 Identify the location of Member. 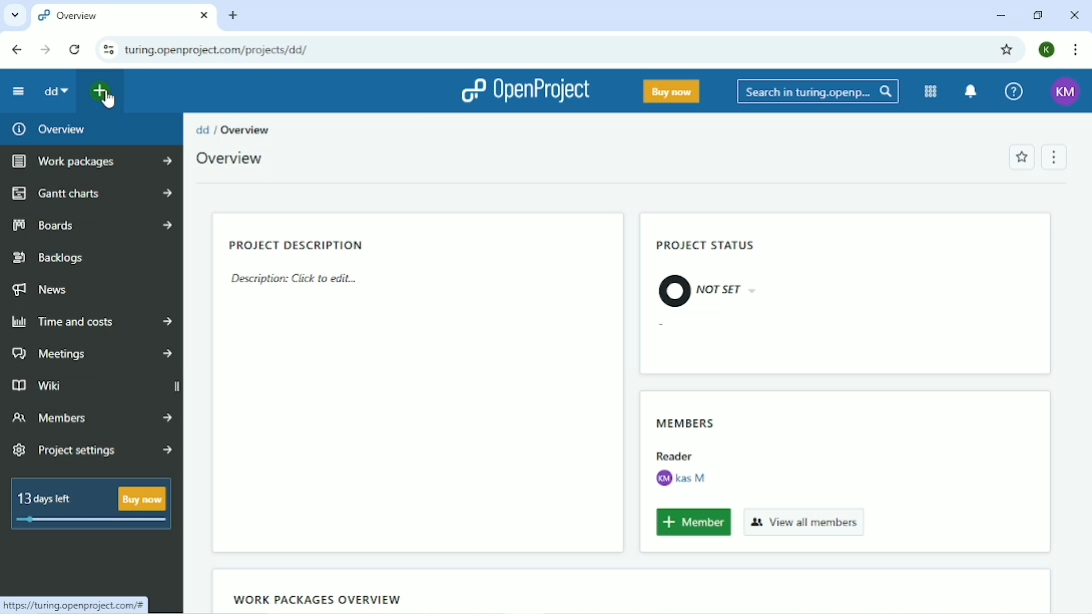
(691, 523).